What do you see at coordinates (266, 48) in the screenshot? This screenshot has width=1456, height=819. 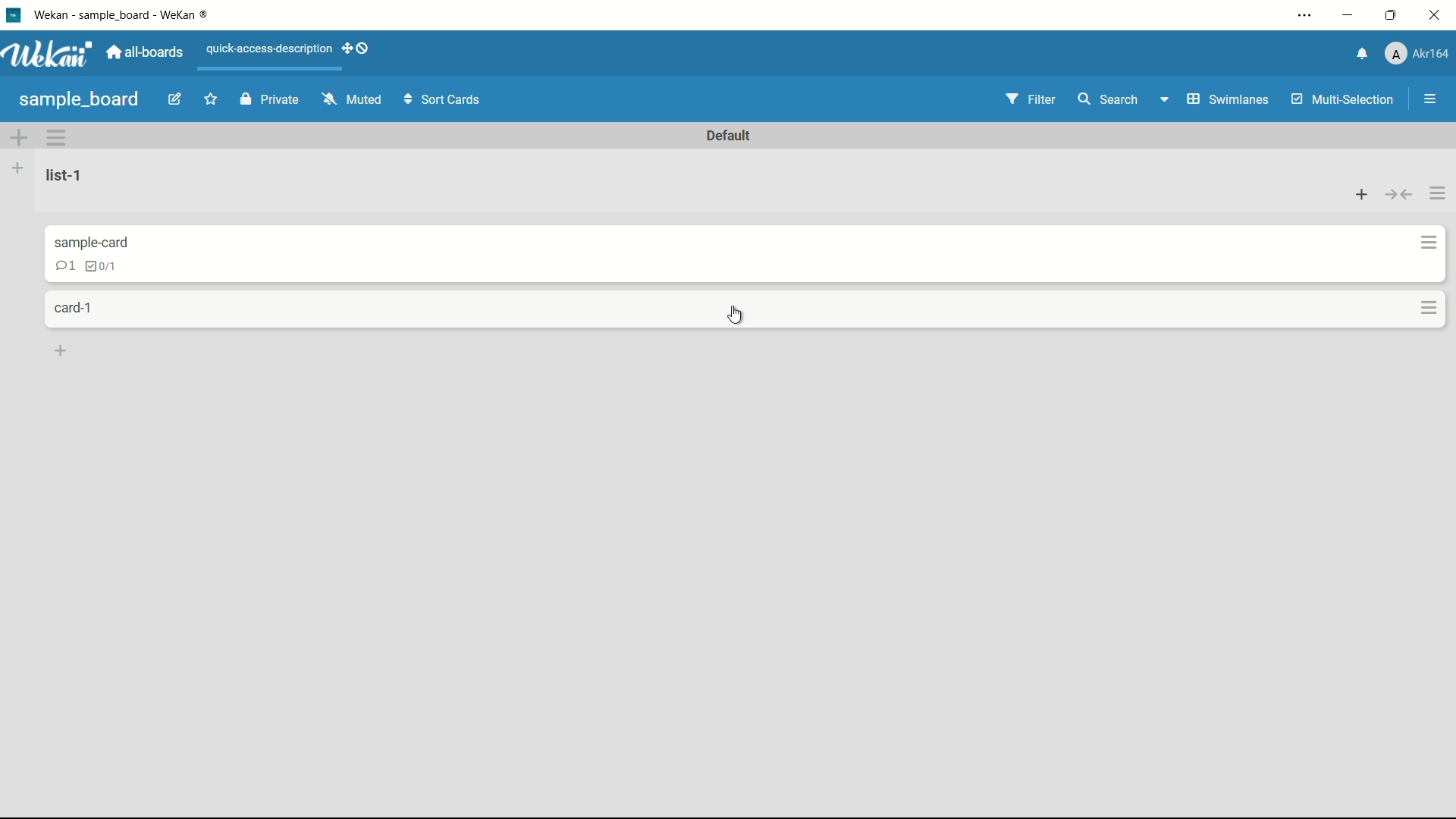 I see `quick-access-description` at bounding box center [266, 48].